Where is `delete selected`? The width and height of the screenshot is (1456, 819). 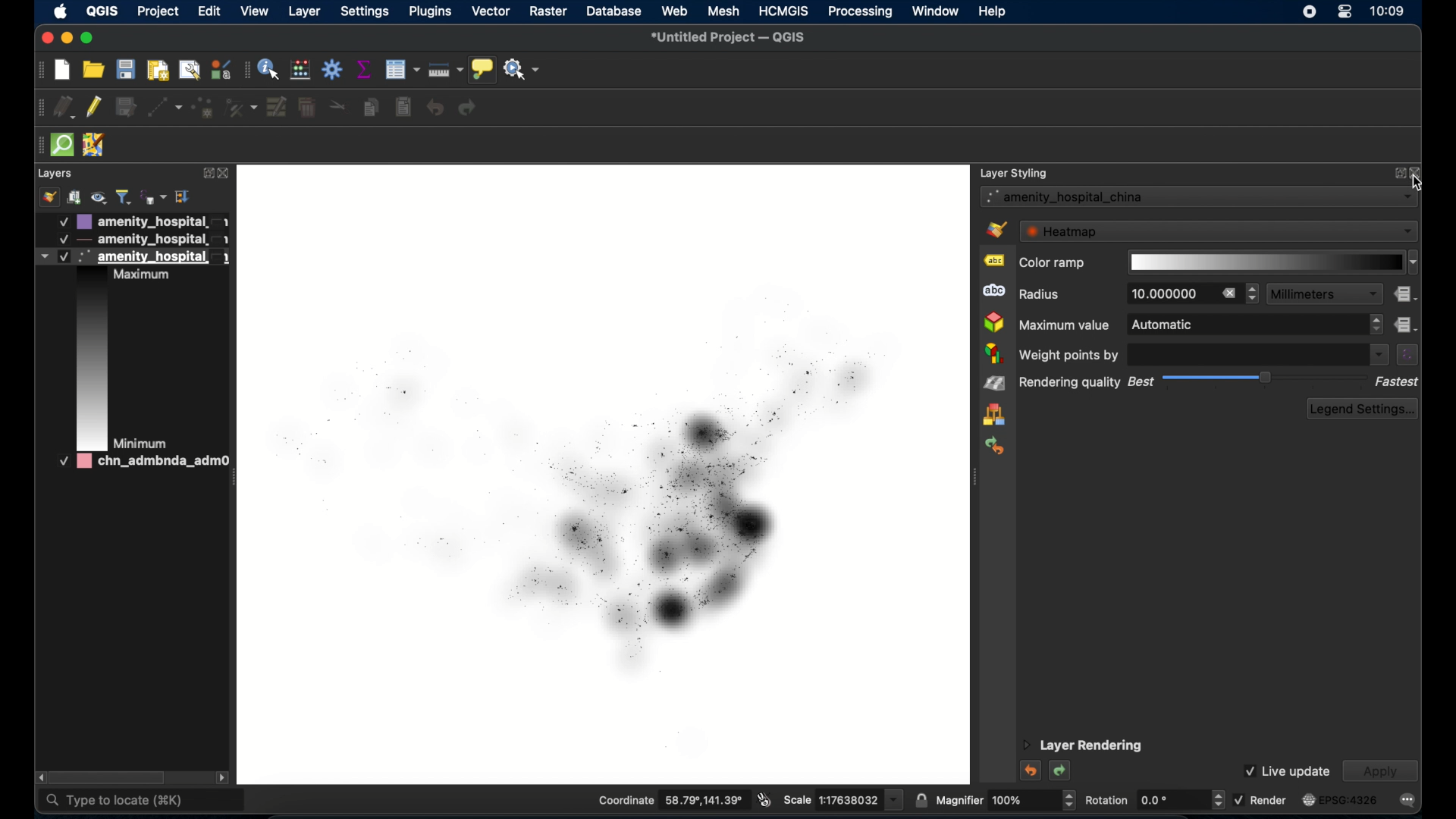 delete selected is located at coordinates (403, 108).